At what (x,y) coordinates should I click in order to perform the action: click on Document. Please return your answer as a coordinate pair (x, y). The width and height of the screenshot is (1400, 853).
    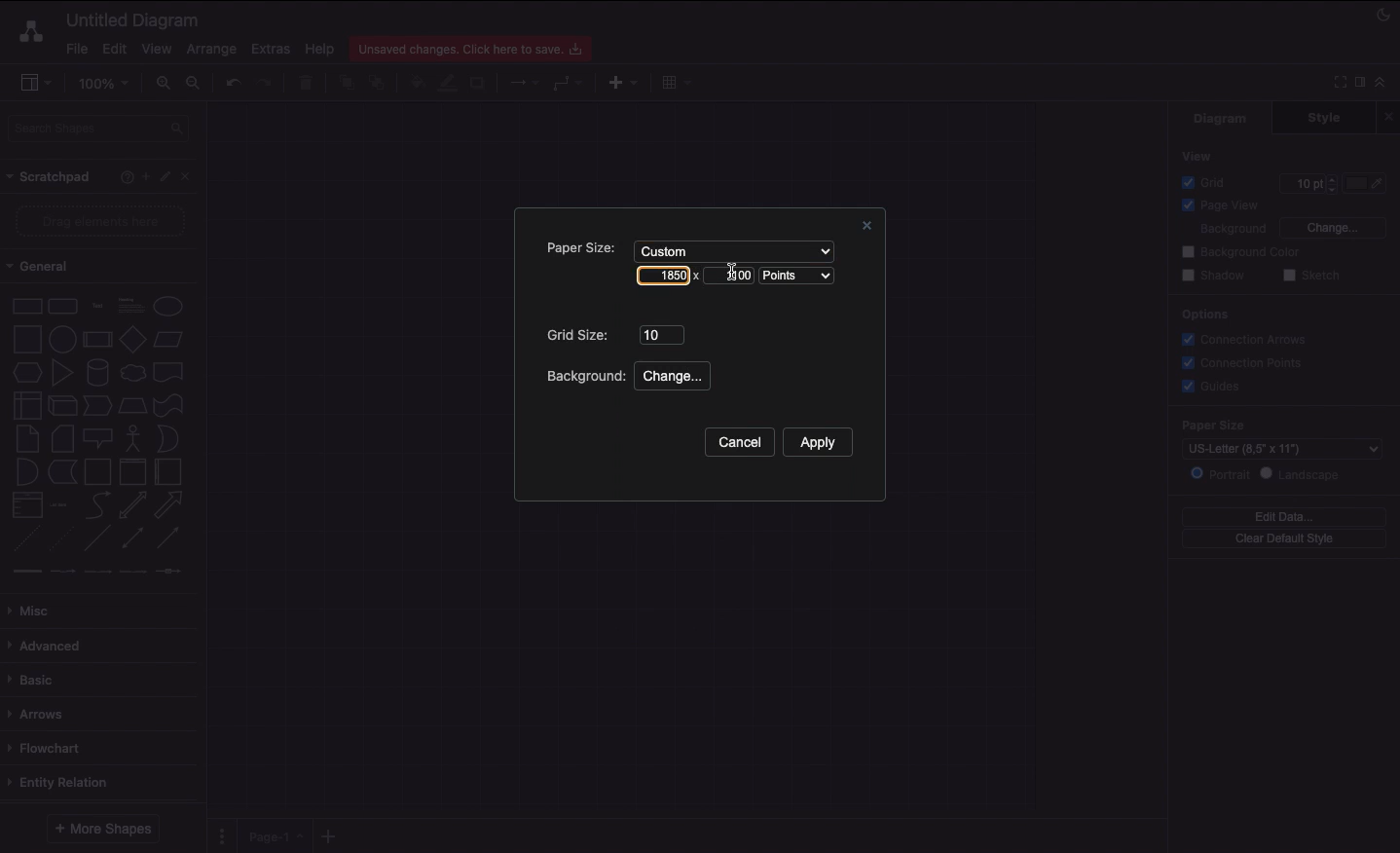
    Looking at the image, I should click on (169, 372).